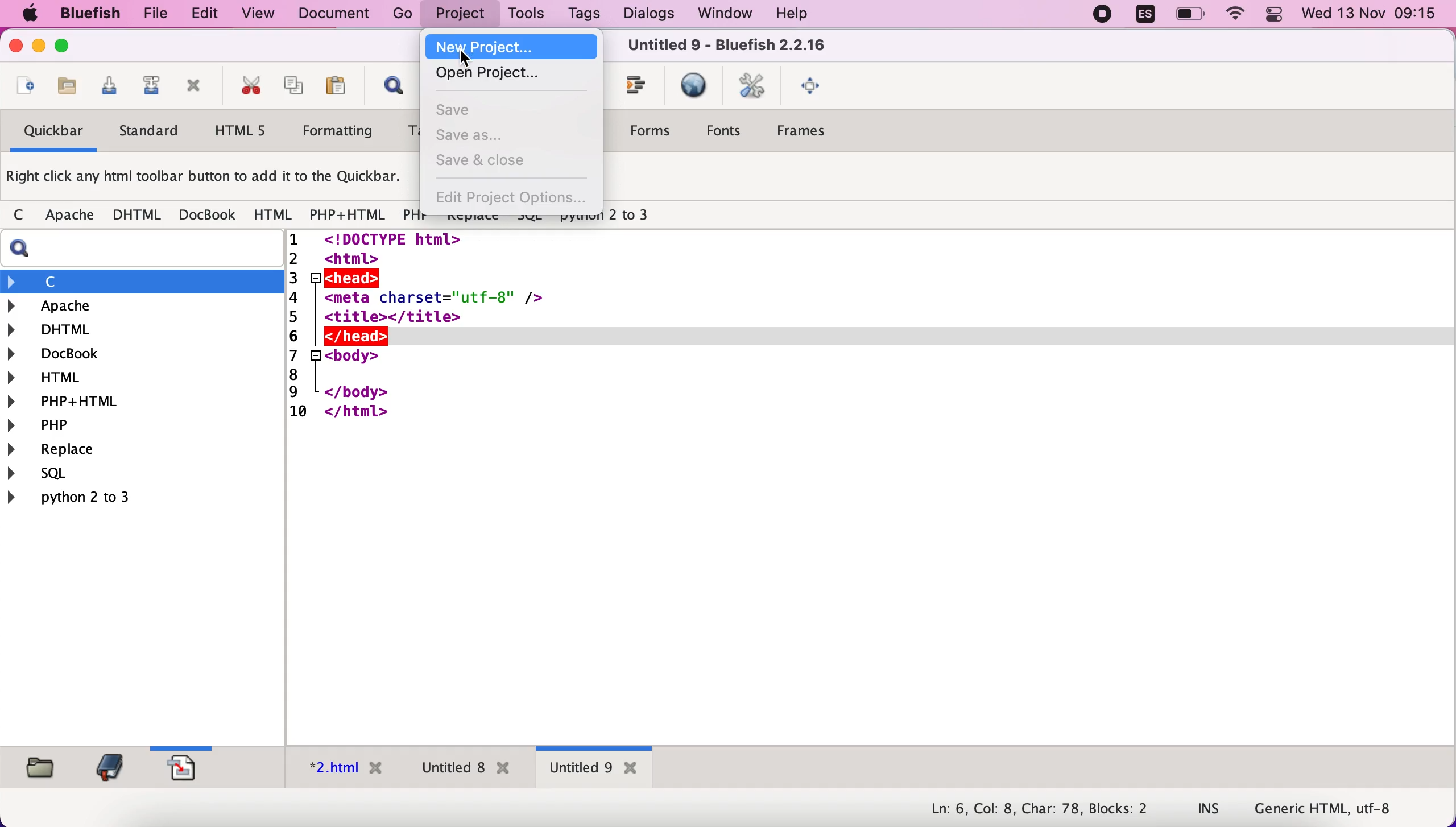 This screenshot has height=827, width=1456. Describe the element at coordinates (465, 59) in the screenshot. I see `CURSOR` at that location.